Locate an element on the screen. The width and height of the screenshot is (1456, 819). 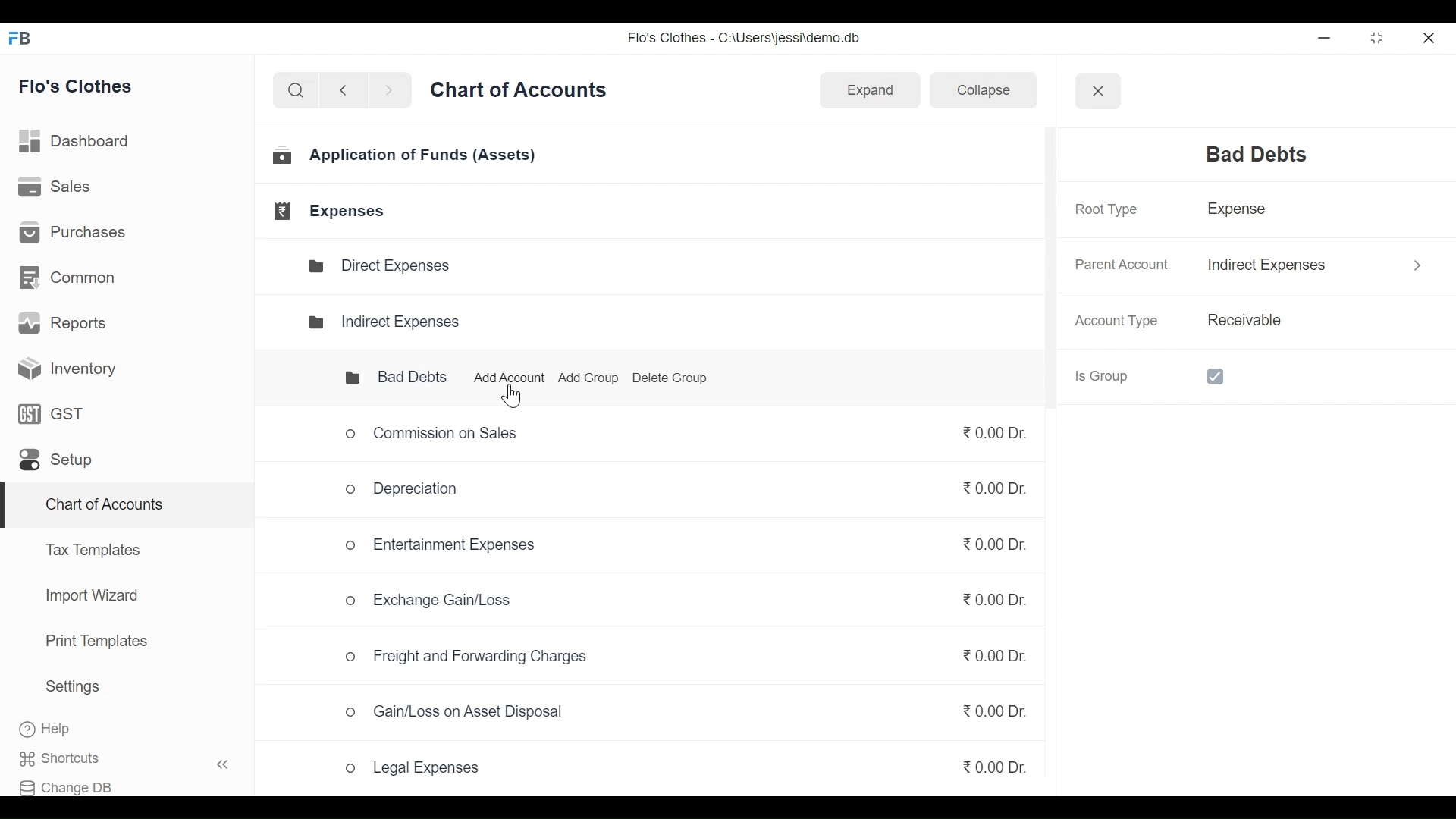
Expenses is located at coordinates (332, 211).